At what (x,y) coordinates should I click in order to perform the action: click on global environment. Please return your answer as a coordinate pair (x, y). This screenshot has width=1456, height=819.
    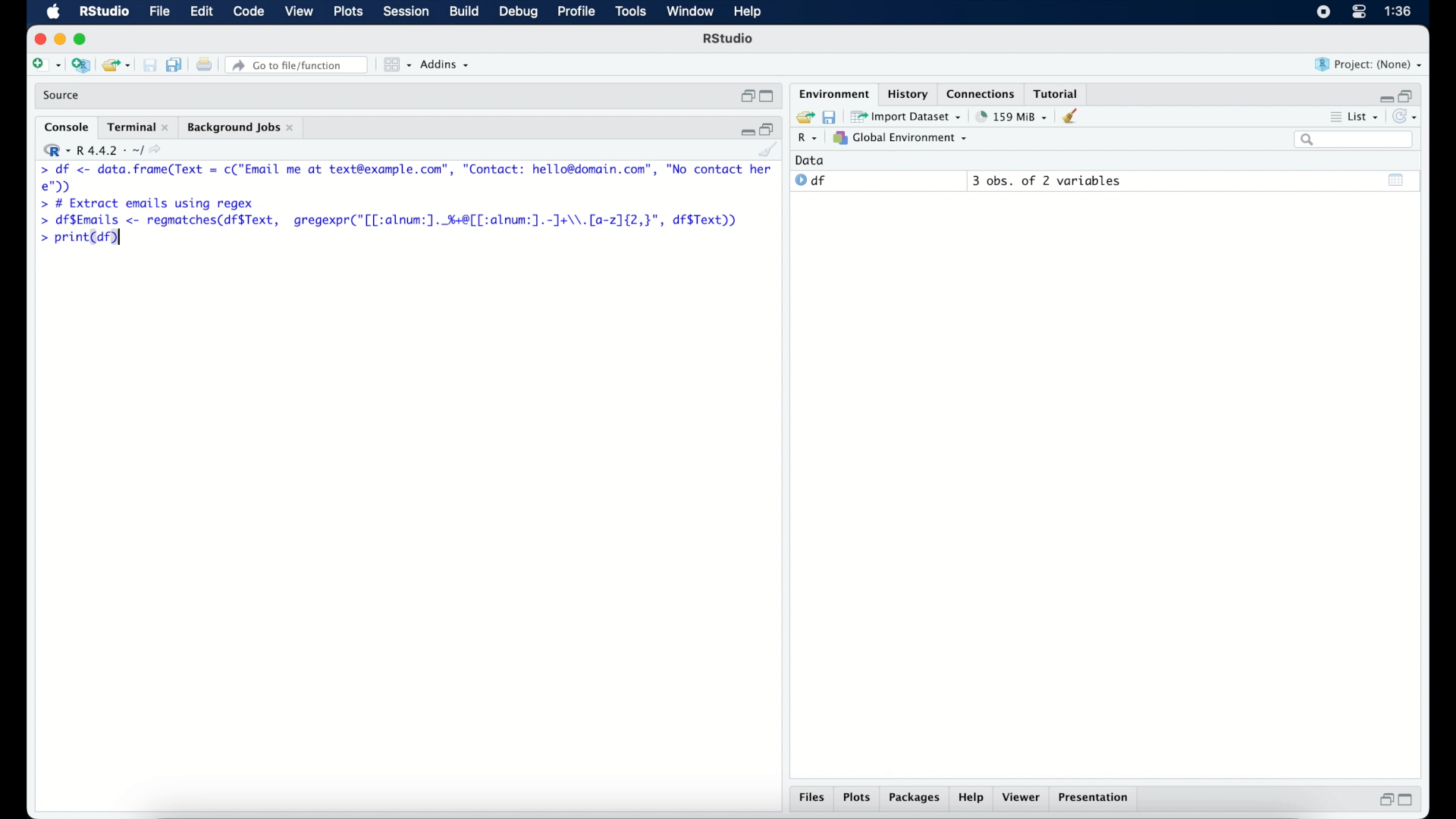
    Looking at the image, I should click on (905, 139).